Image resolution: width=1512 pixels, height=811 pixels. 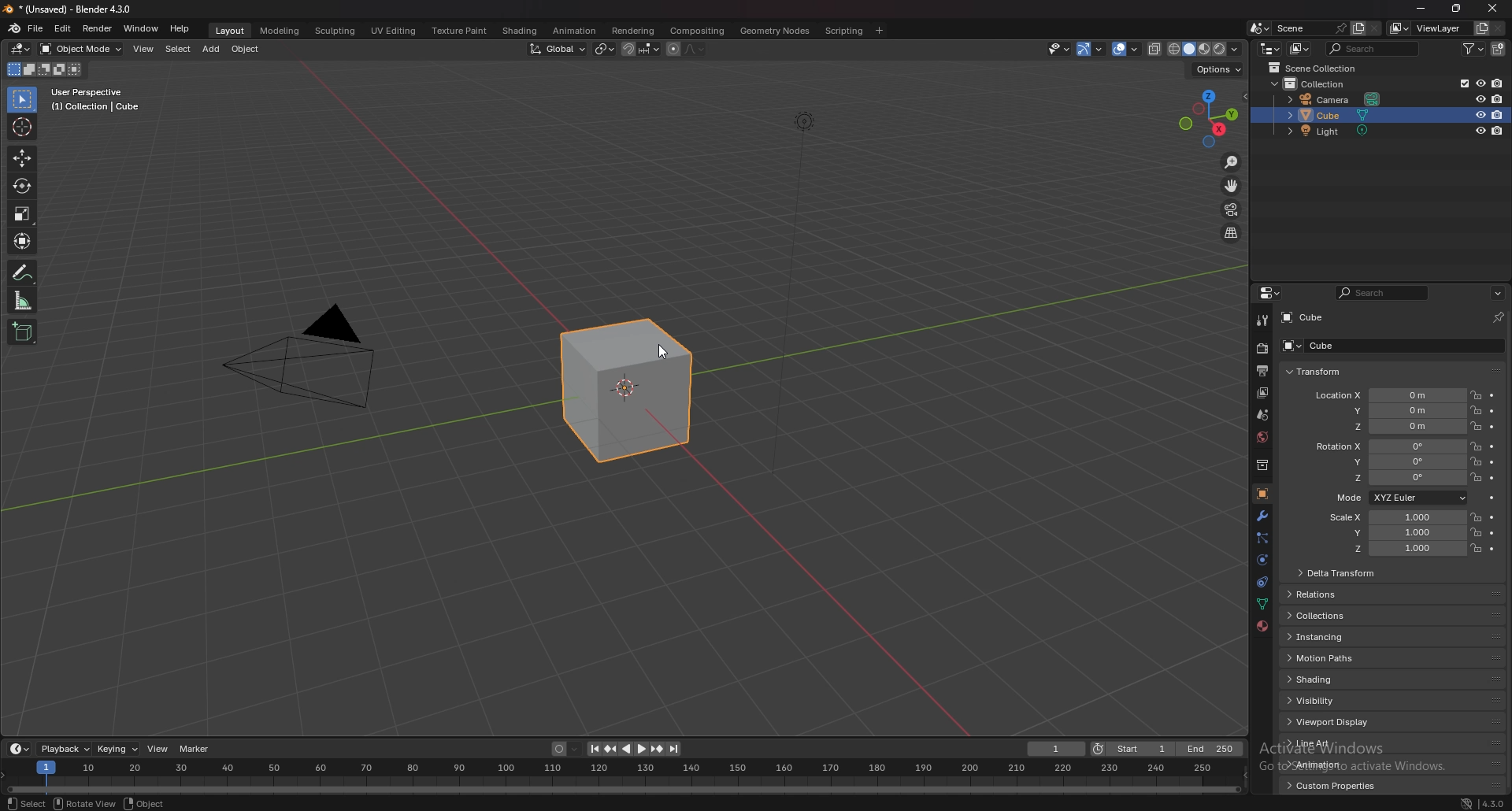 What do you see at coordinates (1311, 27) in the screenshot?
I see `scene` at bounding box center [1311, 27].